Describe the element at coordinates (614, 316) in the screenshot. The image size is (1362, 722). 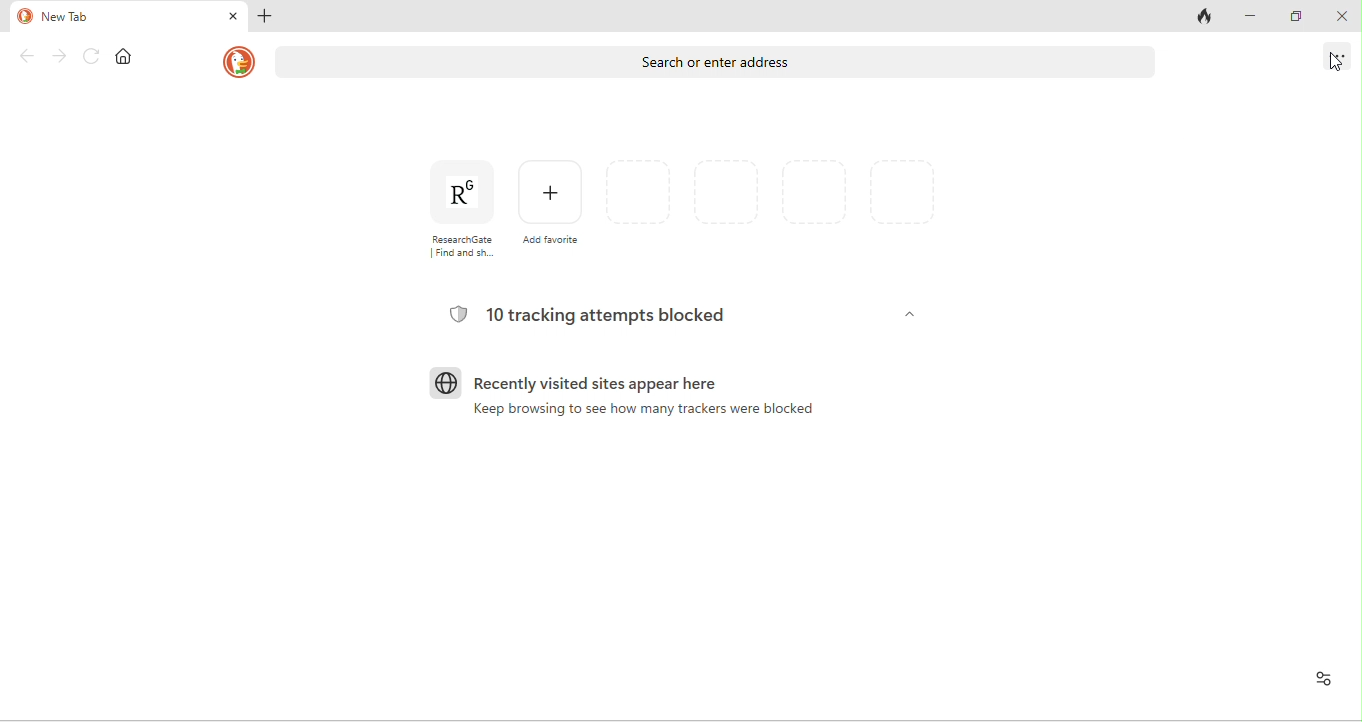
I see `10 tracking attempts blocked` at that location.